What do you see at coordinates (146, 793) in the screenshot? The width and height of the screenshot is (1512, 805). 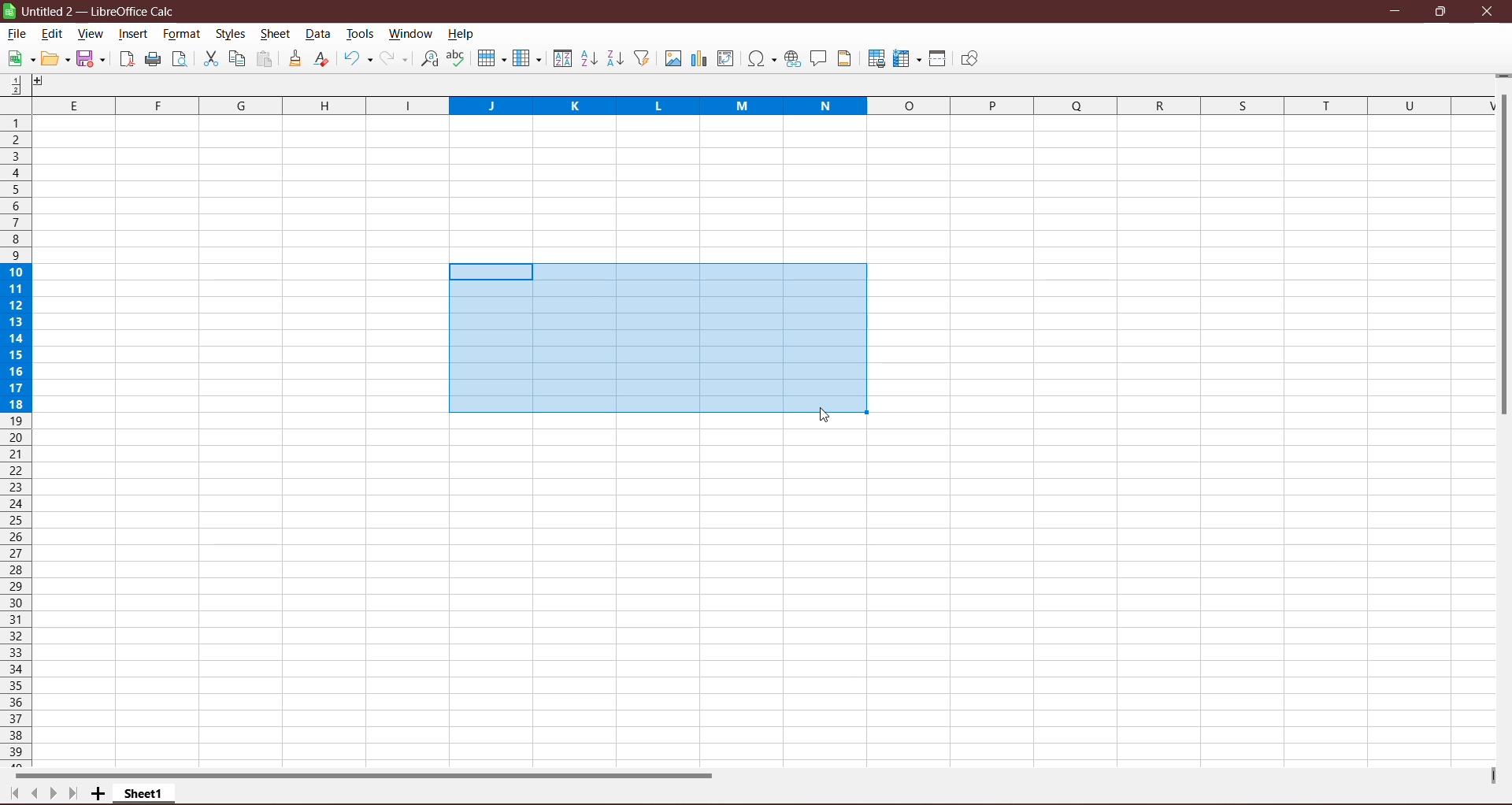 I see `Sheet Name` at bounding box center [146, 793].